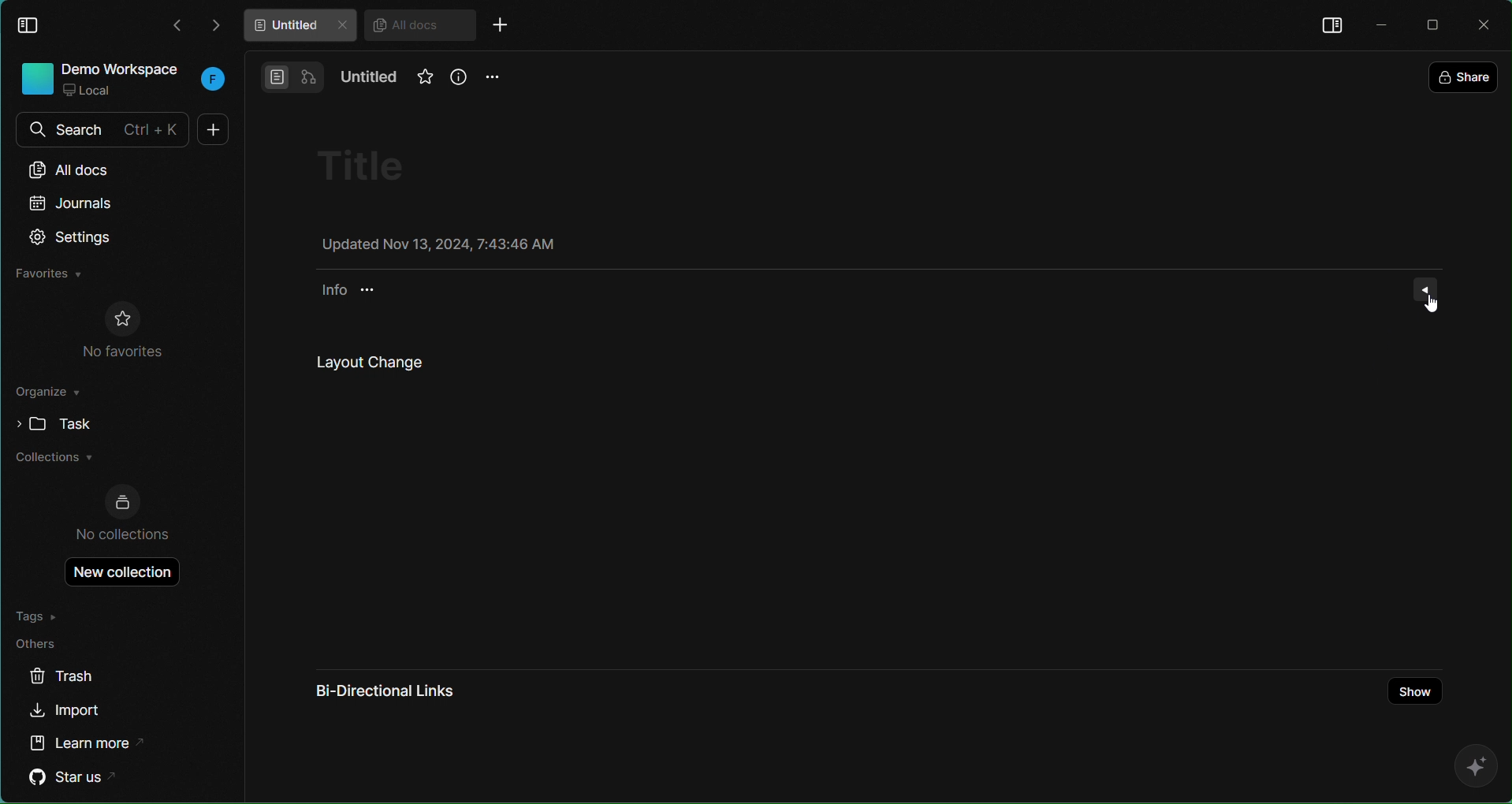  What do you see at coordinates (457, 77) in the screenshot?
I see `info` at bounding box center [457, 77].